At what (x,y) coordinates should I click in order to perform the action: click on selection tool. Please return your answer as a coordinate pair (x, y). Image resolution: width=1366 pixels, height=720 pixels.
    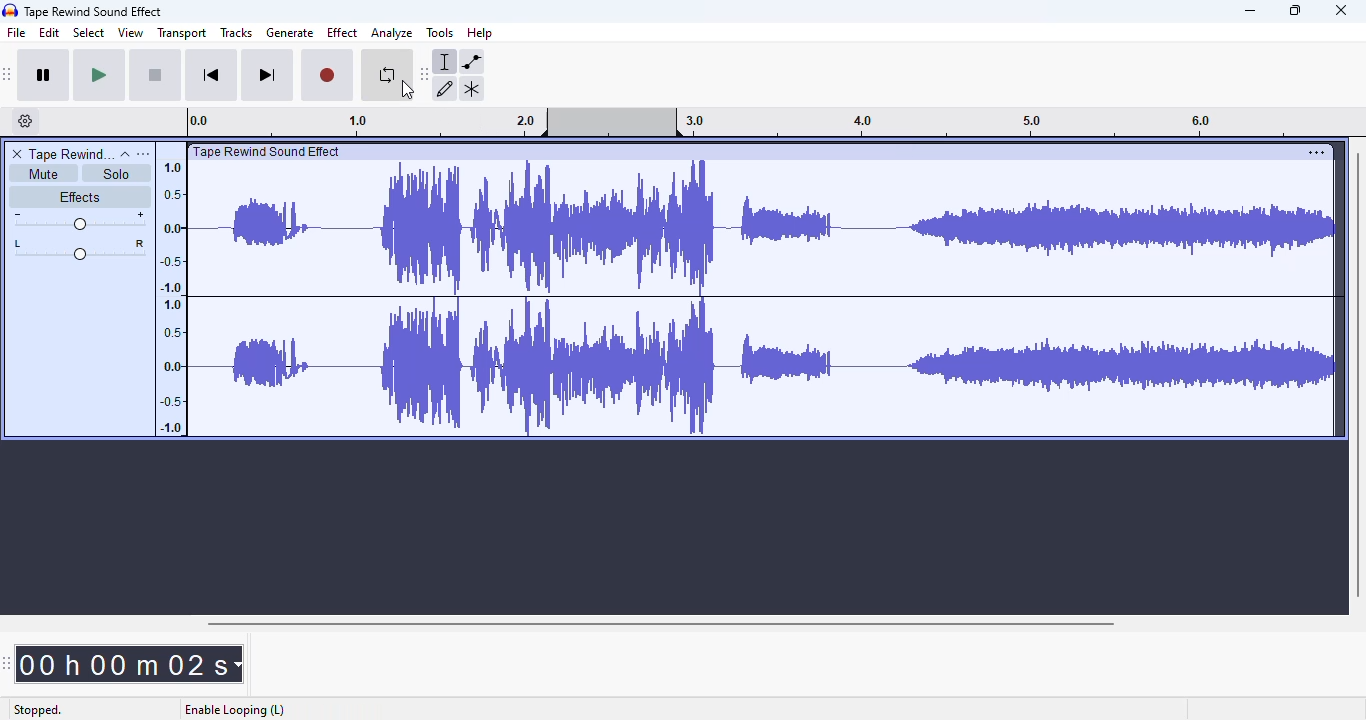
    Looking at the image, I should click on (448, 61).